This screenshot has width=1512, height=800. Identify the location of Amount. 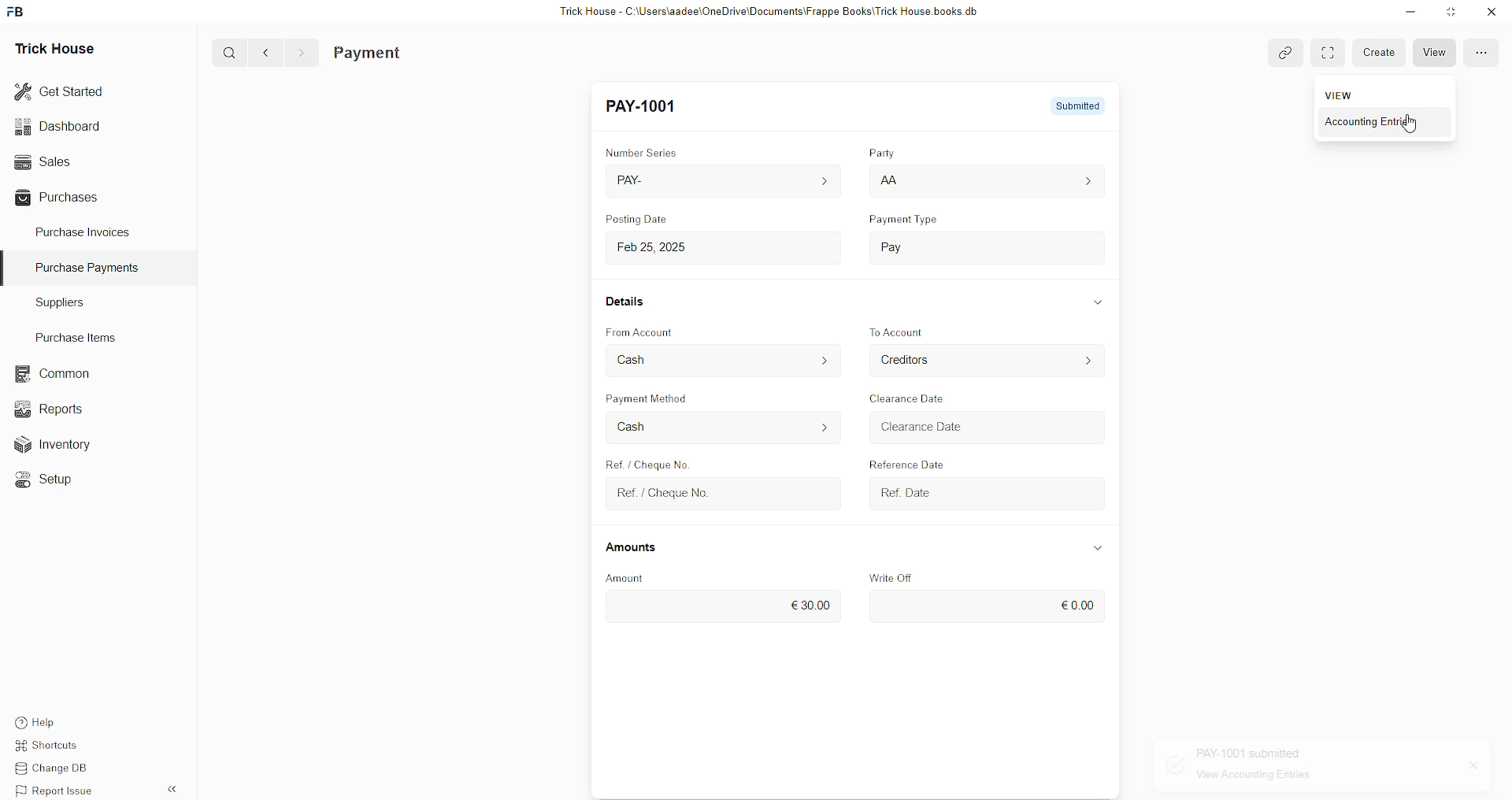
(642, 576).